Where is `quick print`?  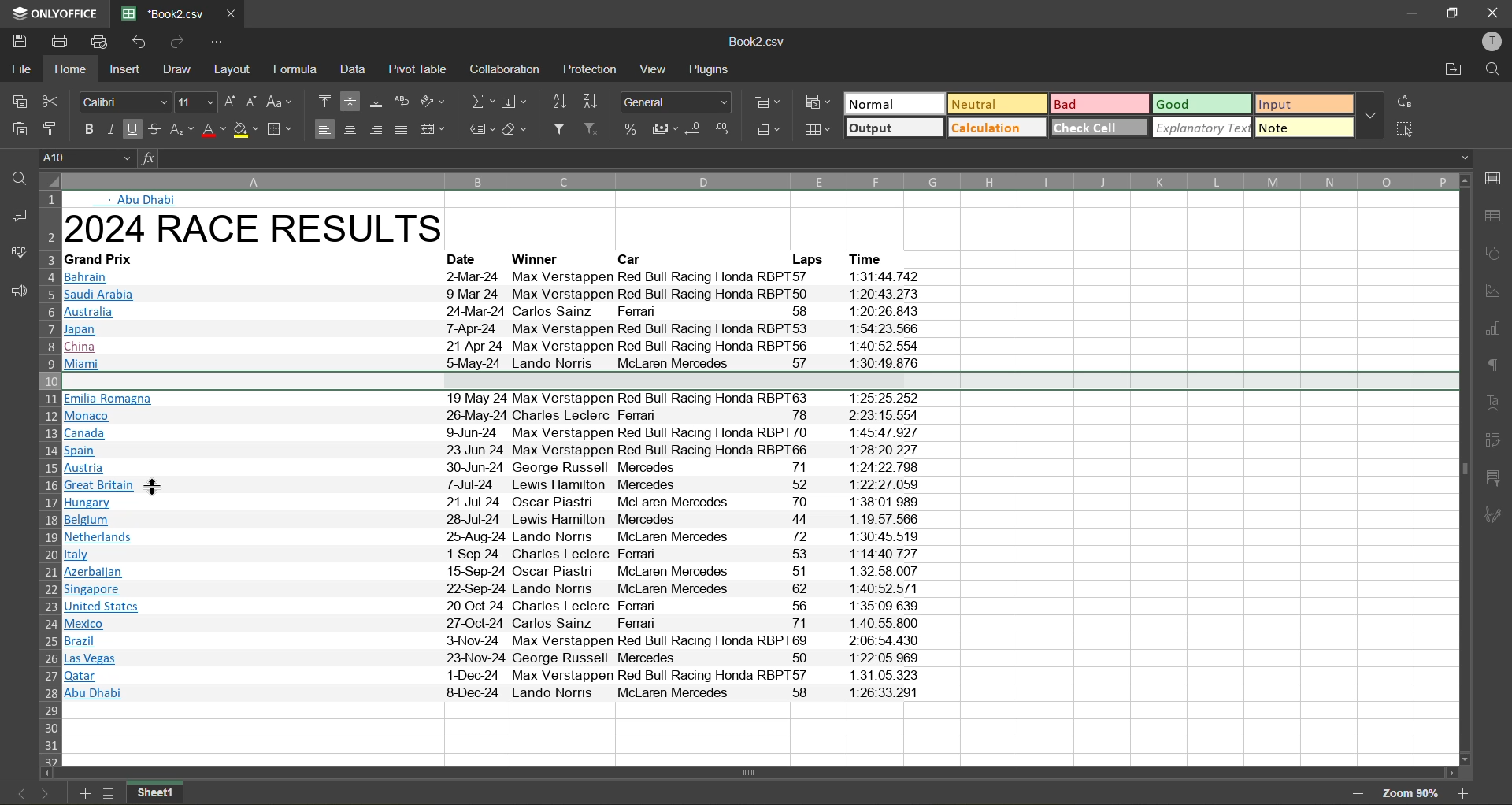 quick print is located at coordinates (100, 42).